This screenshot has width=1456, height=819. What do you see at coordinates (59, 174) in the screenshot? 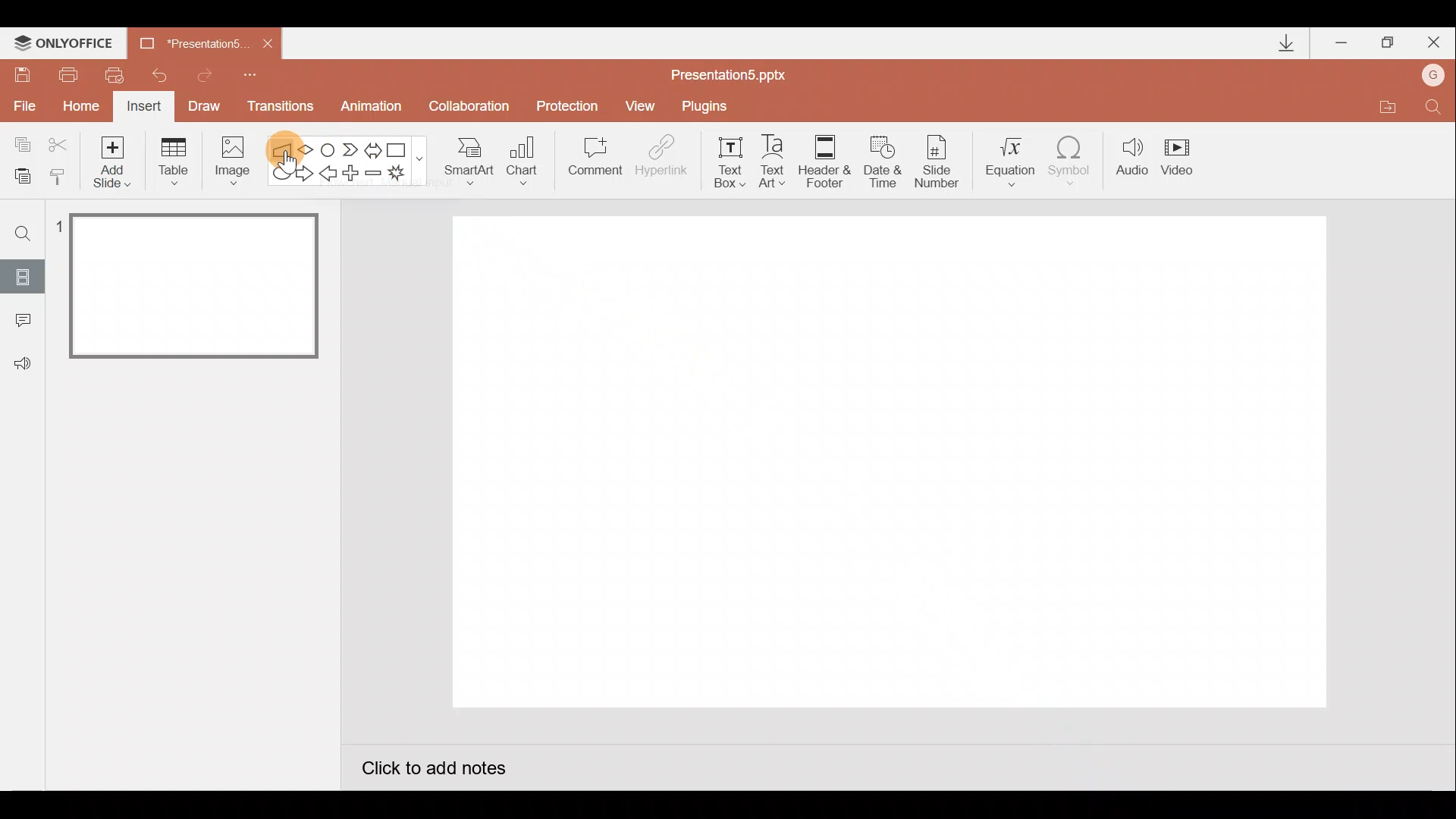
I see `Copy style` at bounding box center [59, 174].